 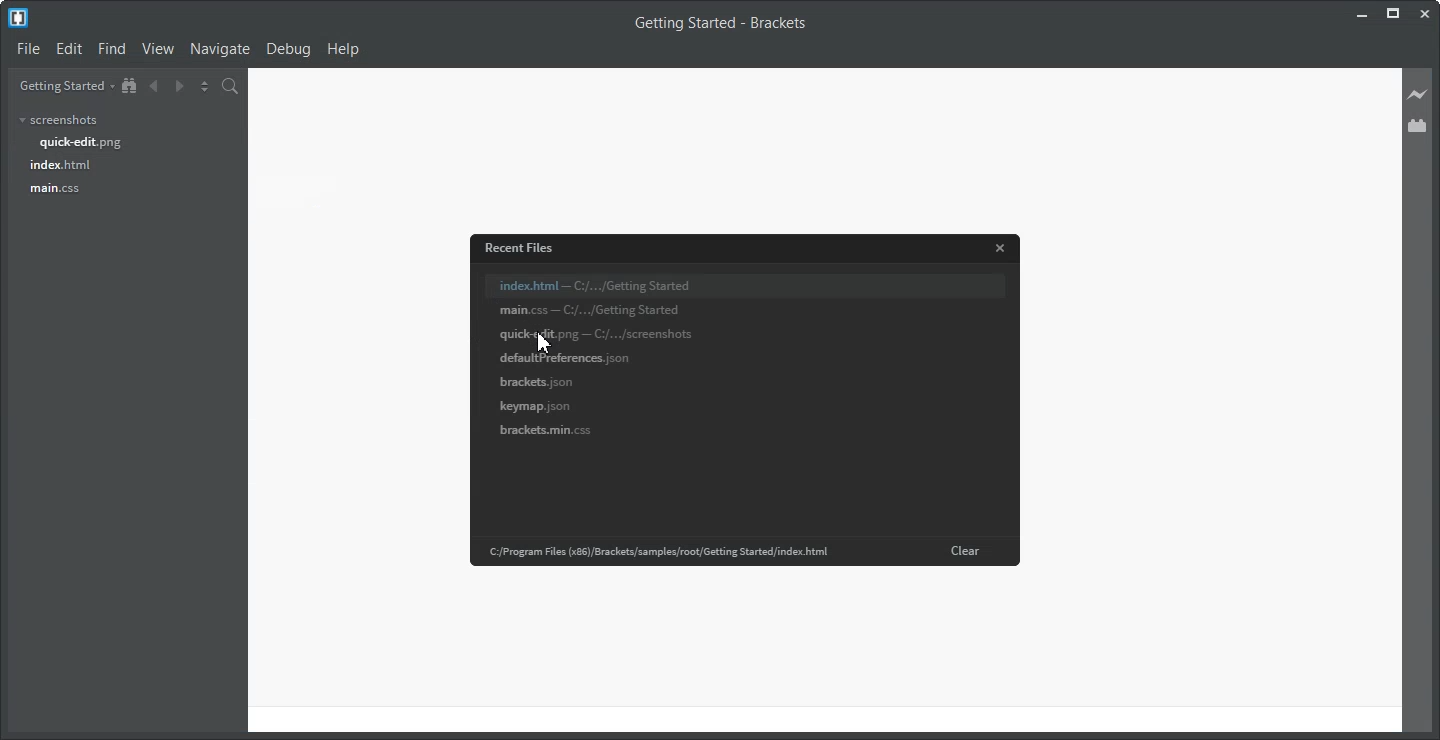 I want to click on ‘main.css — (/.../Getting Started, so click(x=589, y=310).